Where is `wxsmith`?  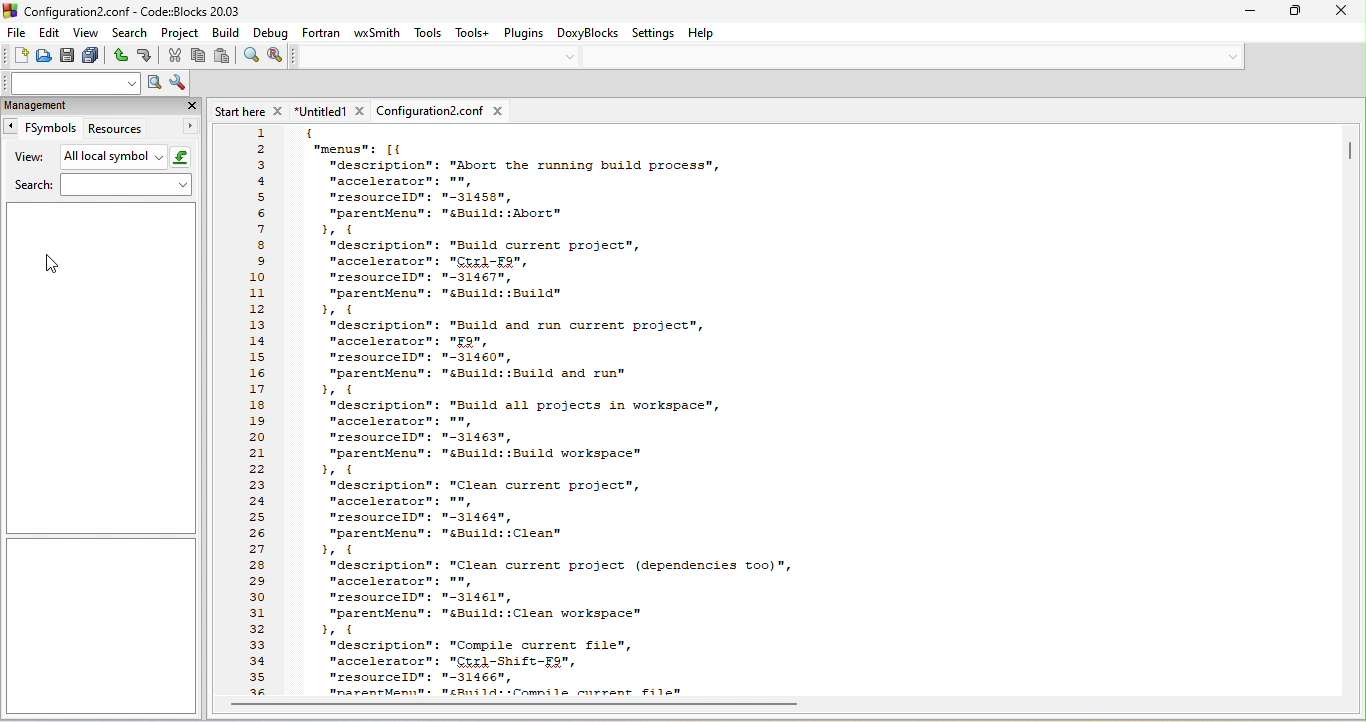
wxsmith is located at coordinates (378, 32).